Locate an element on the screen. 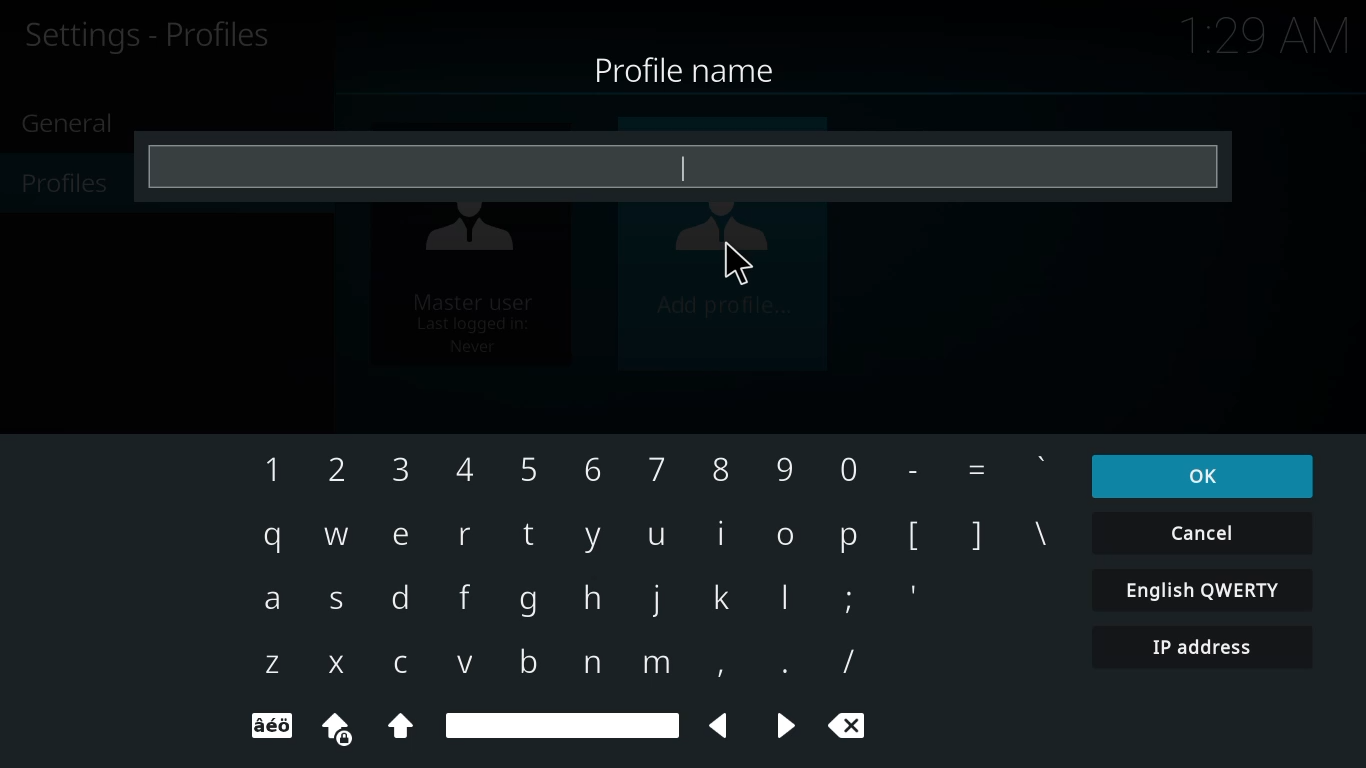 The height and width of the screenshot is (768, 1366). e is located at coordinates (403, 538).